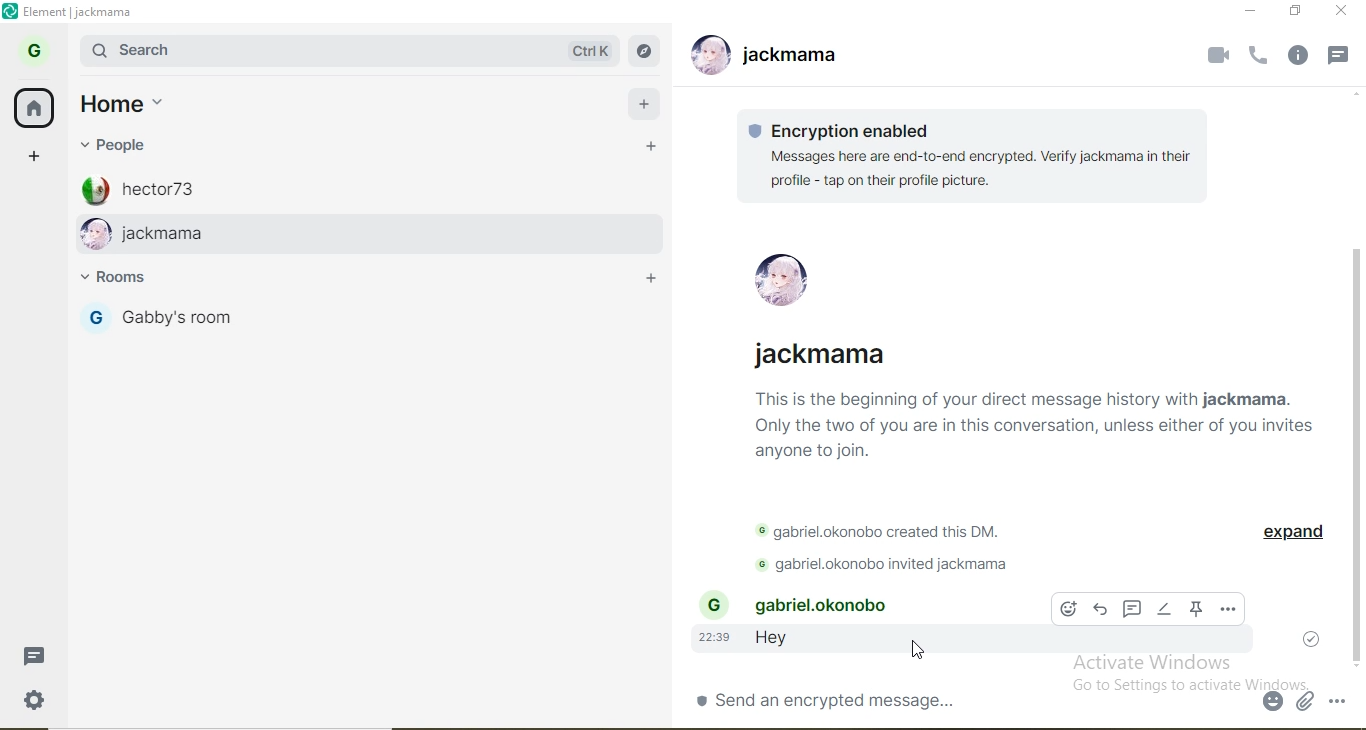 This screenshot has height=730, width=1366. What do you see at coordinates (1131, 610) in the screenshot?
I see `comment` at bounding box center [1131, 610].